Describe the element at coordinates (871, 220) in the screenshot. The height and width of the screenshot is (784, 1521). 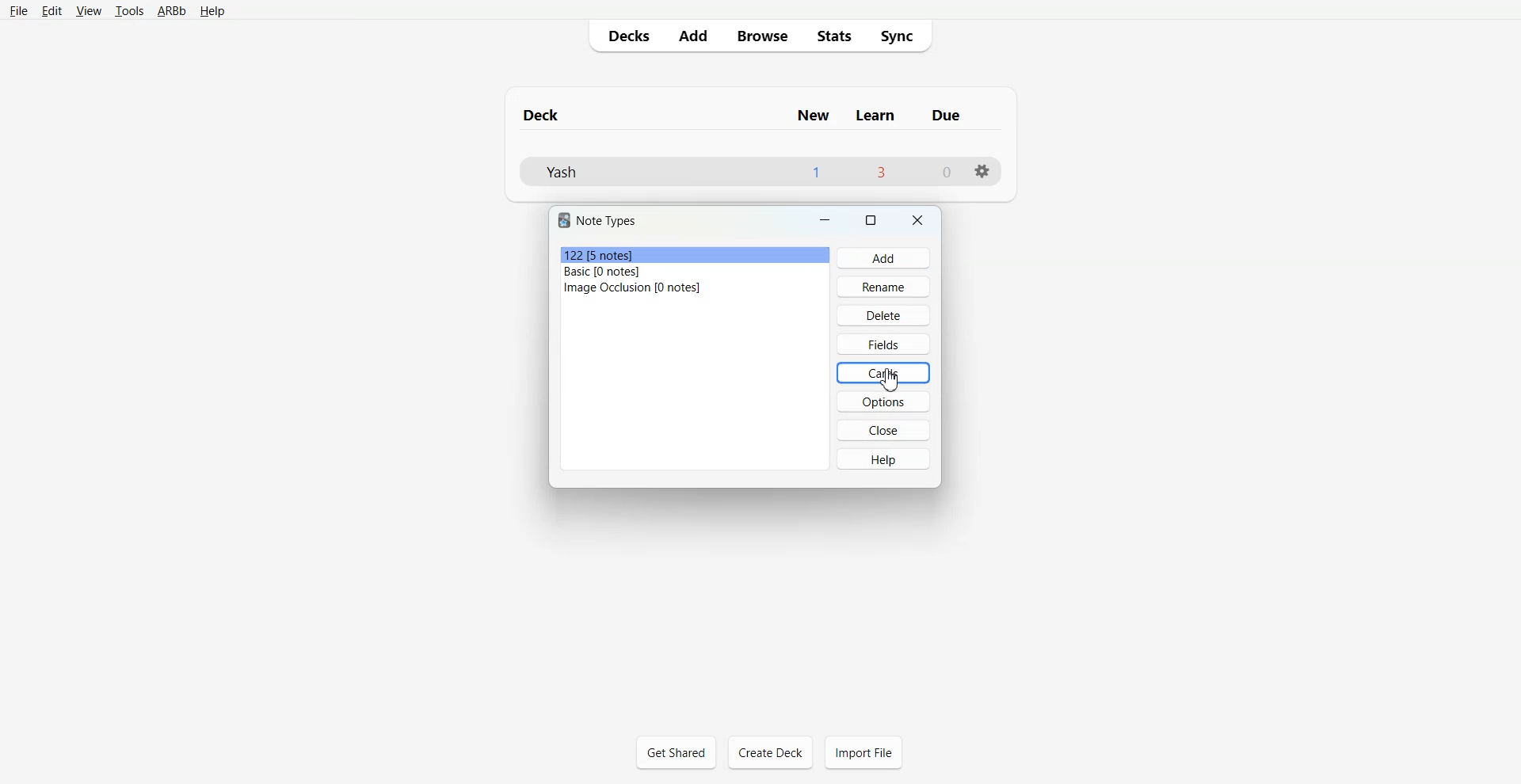
I see `Maximize` at that location.